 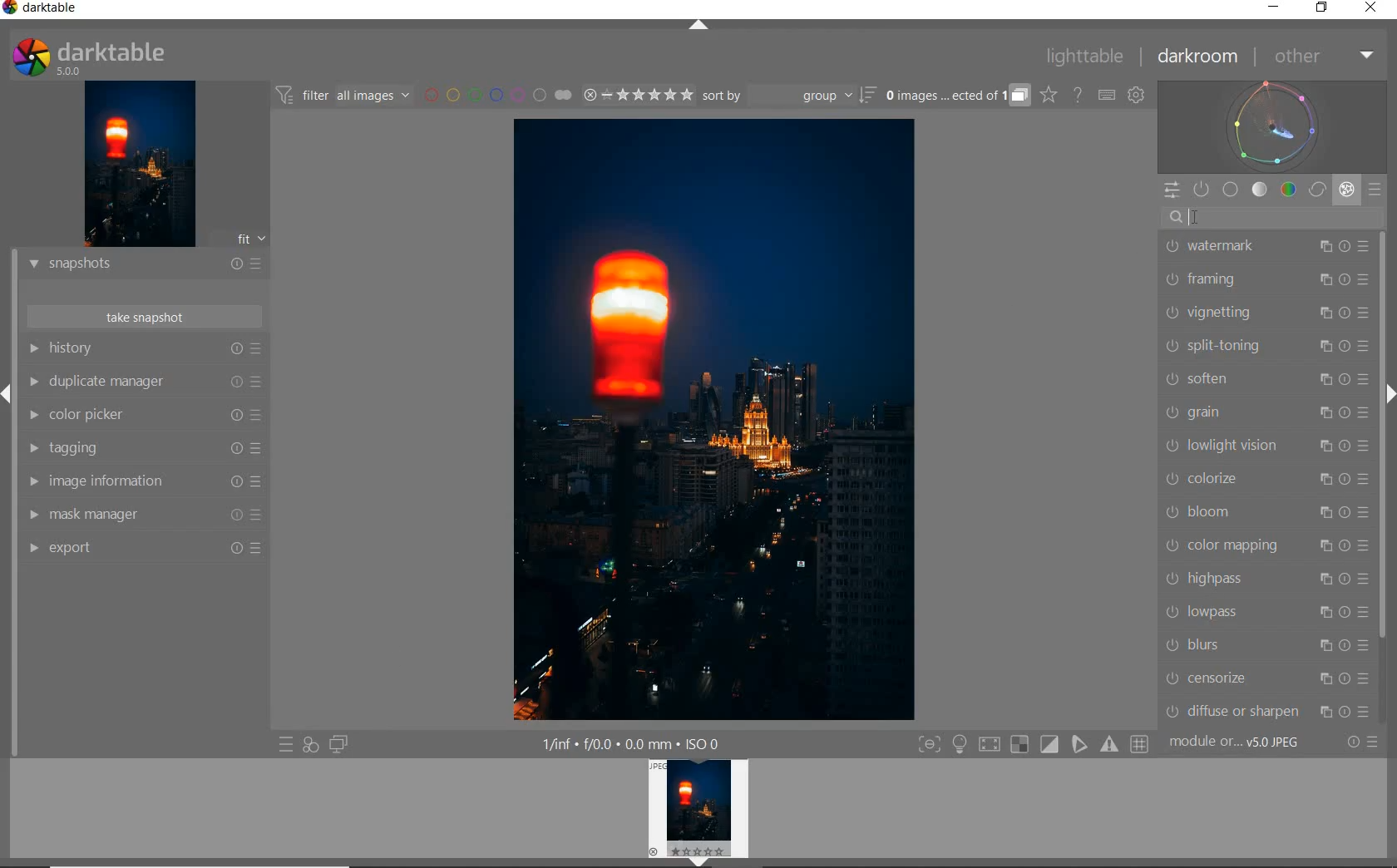 What do you see at coordinates (1384, 436) in the screenshot?
I see `SCROLLBAR` at bounding box center [1384, 436].